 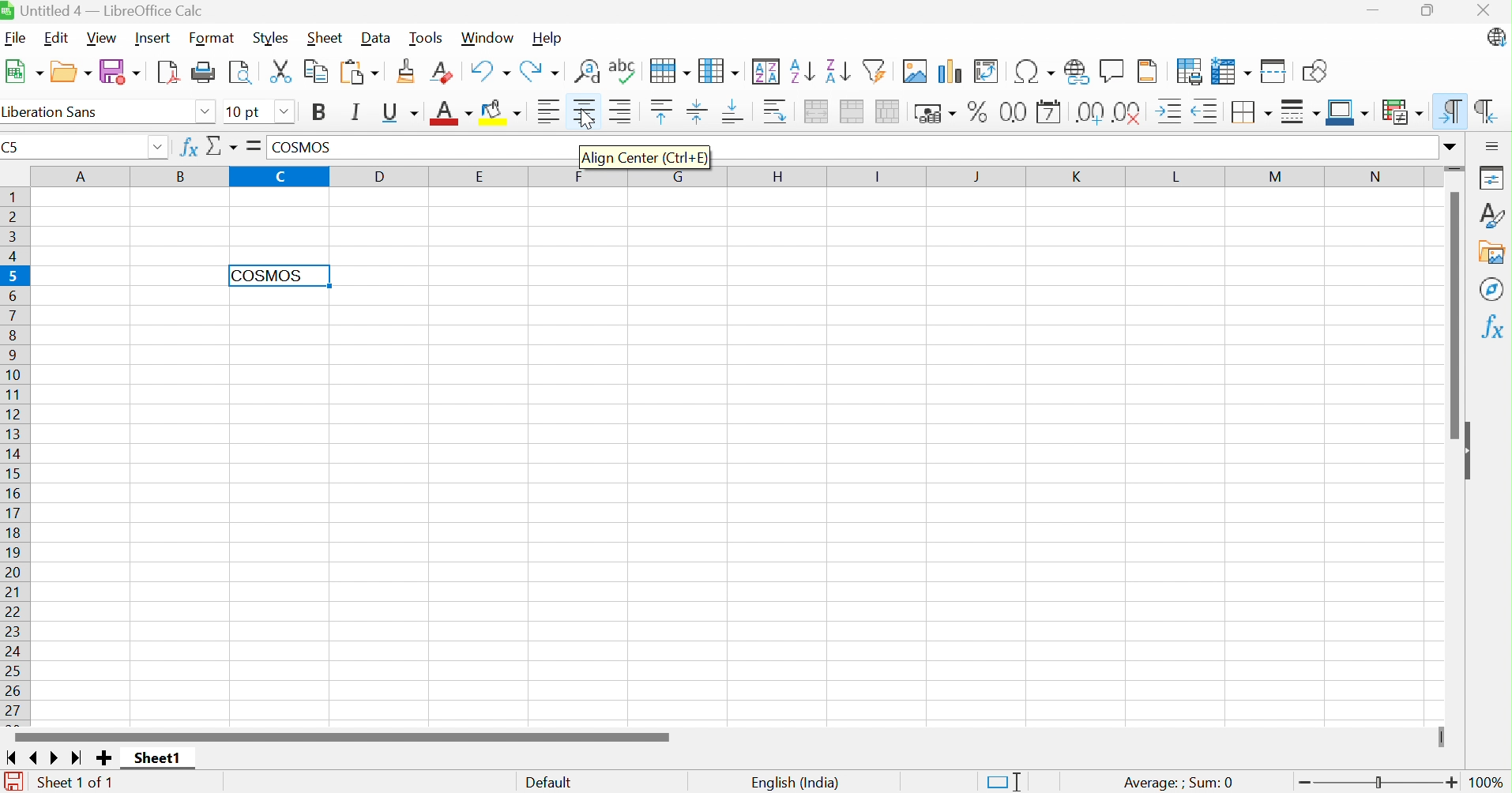 What do you see at coordinates (427, 37) in the screenshot?
I see `Tools` at bounding box center [427, 37].